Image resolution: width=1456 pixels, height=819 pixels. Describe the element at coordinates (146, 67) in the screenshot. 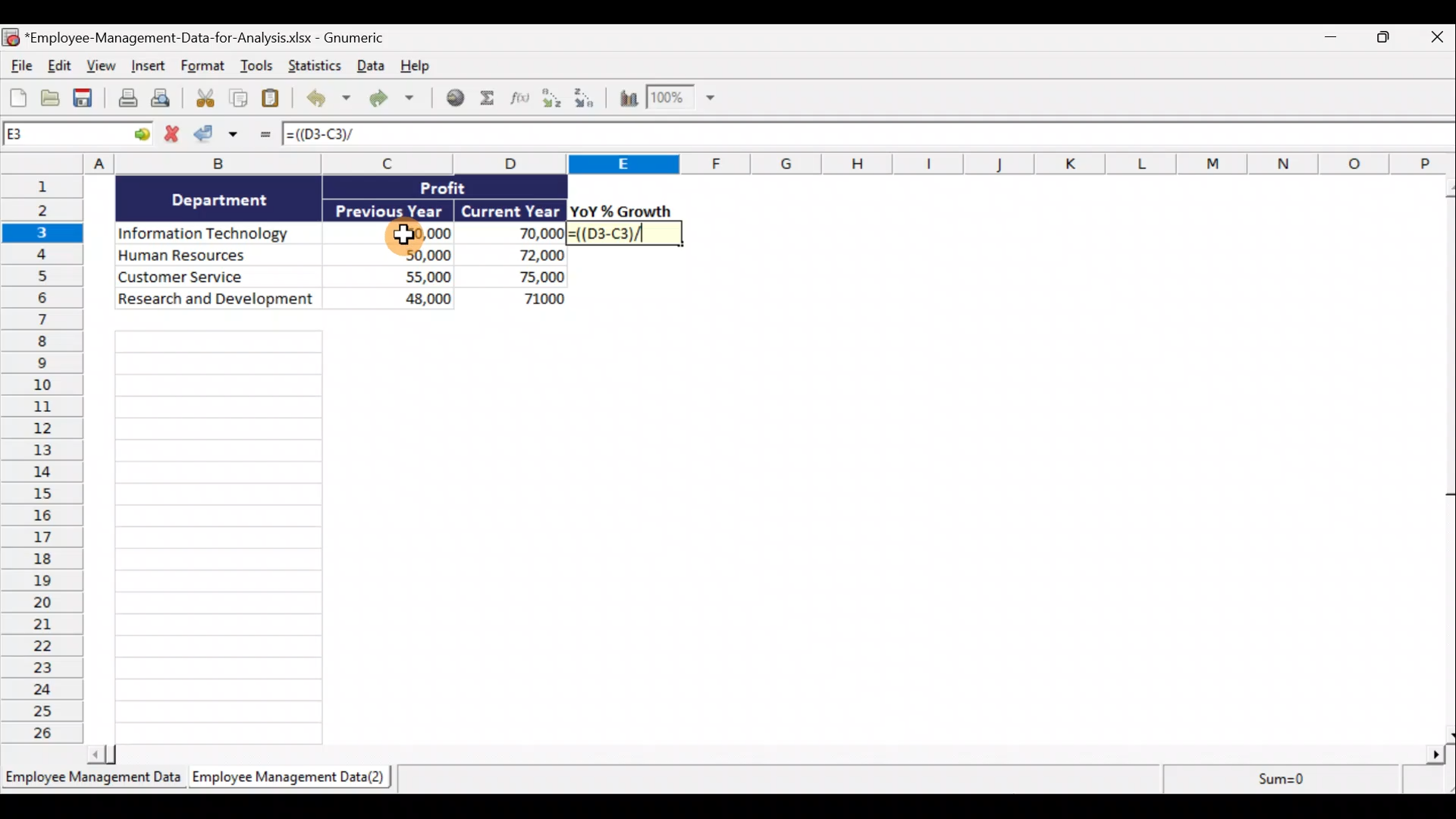

I see `Insert` at that location.